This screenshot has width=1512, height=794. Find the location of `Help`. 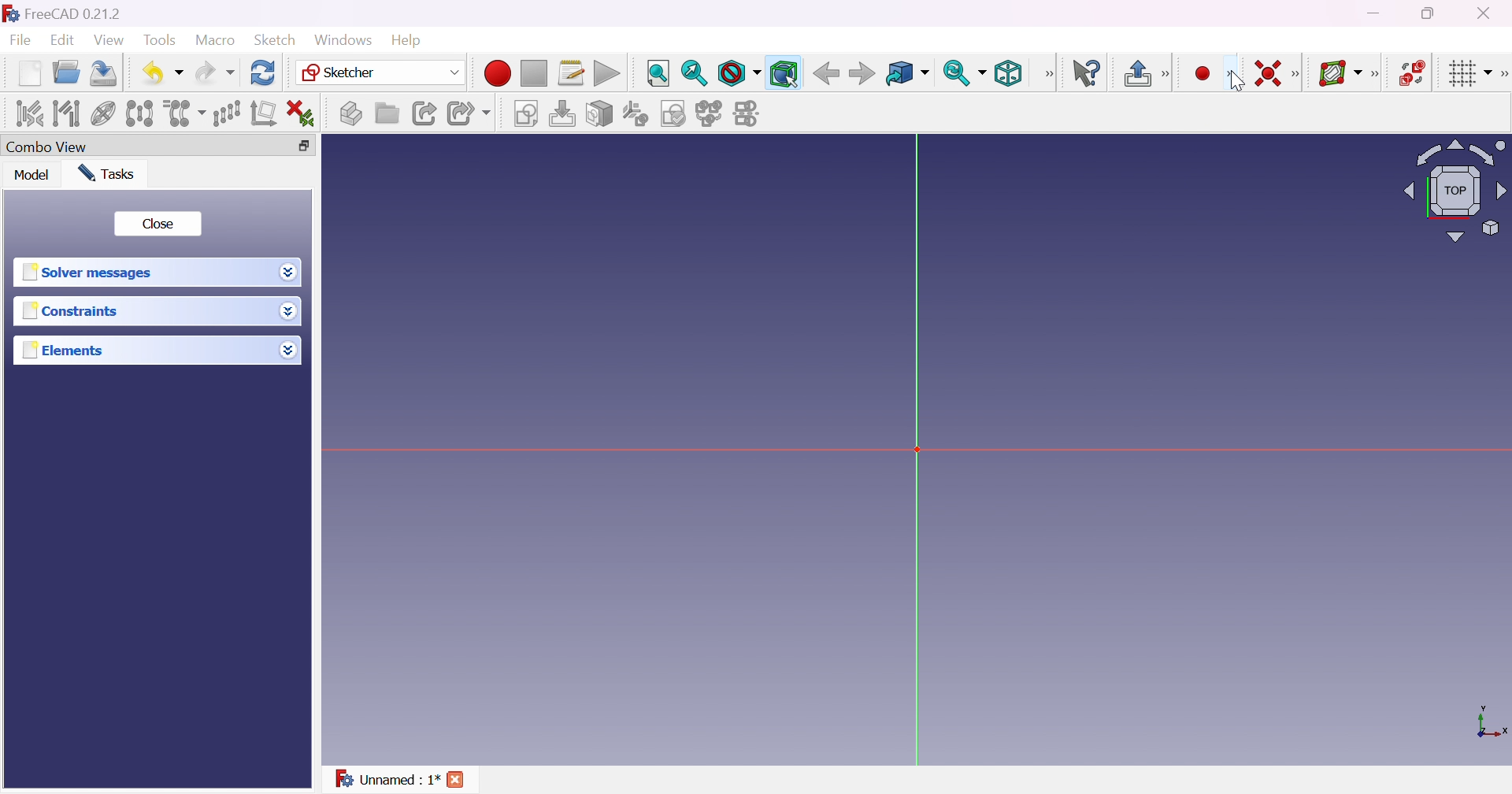

Help is located at coordinates (408, 41).